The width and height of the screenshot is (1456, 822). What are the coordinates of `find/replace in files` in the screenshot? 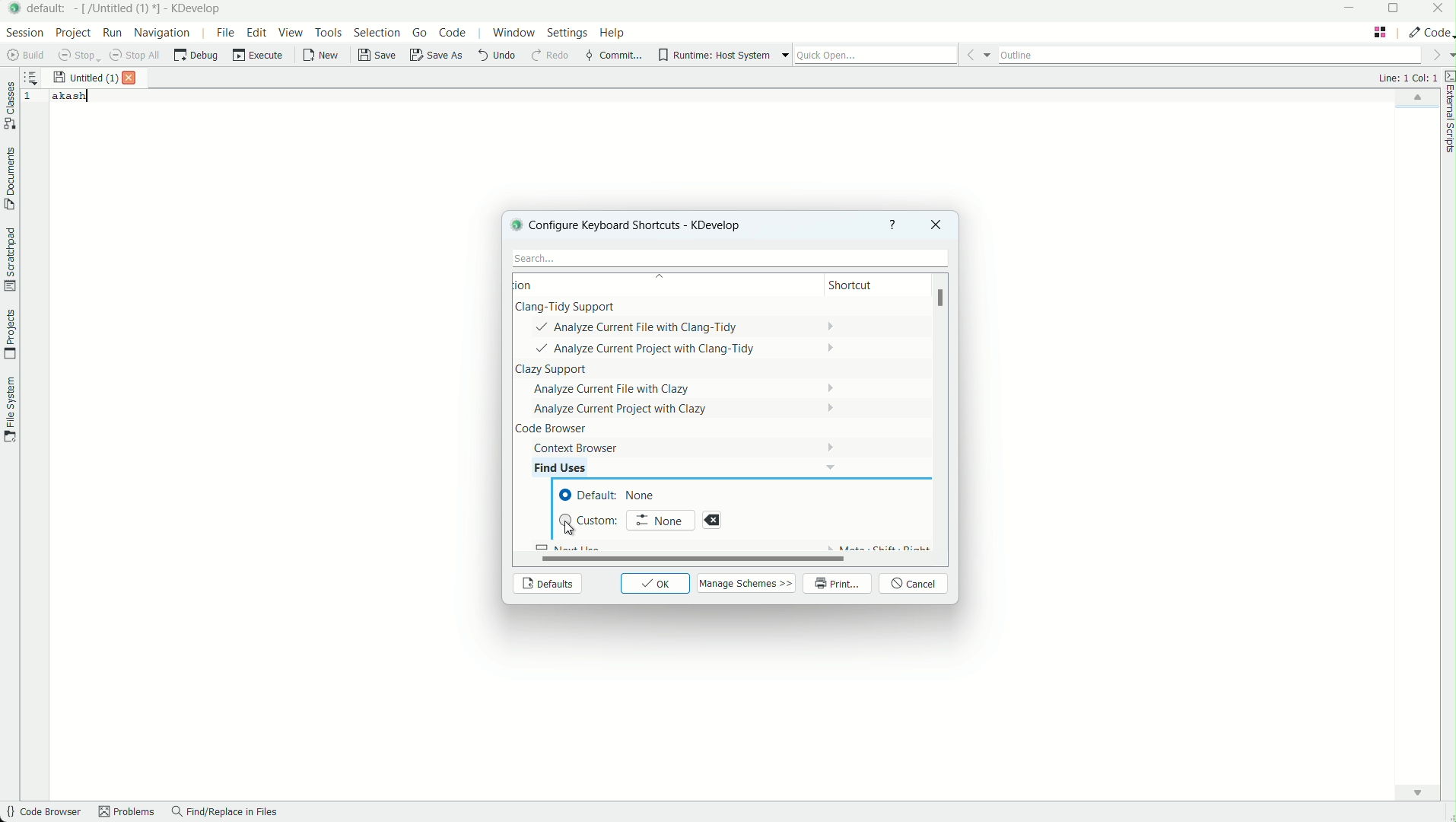 It's located at (225, 813).